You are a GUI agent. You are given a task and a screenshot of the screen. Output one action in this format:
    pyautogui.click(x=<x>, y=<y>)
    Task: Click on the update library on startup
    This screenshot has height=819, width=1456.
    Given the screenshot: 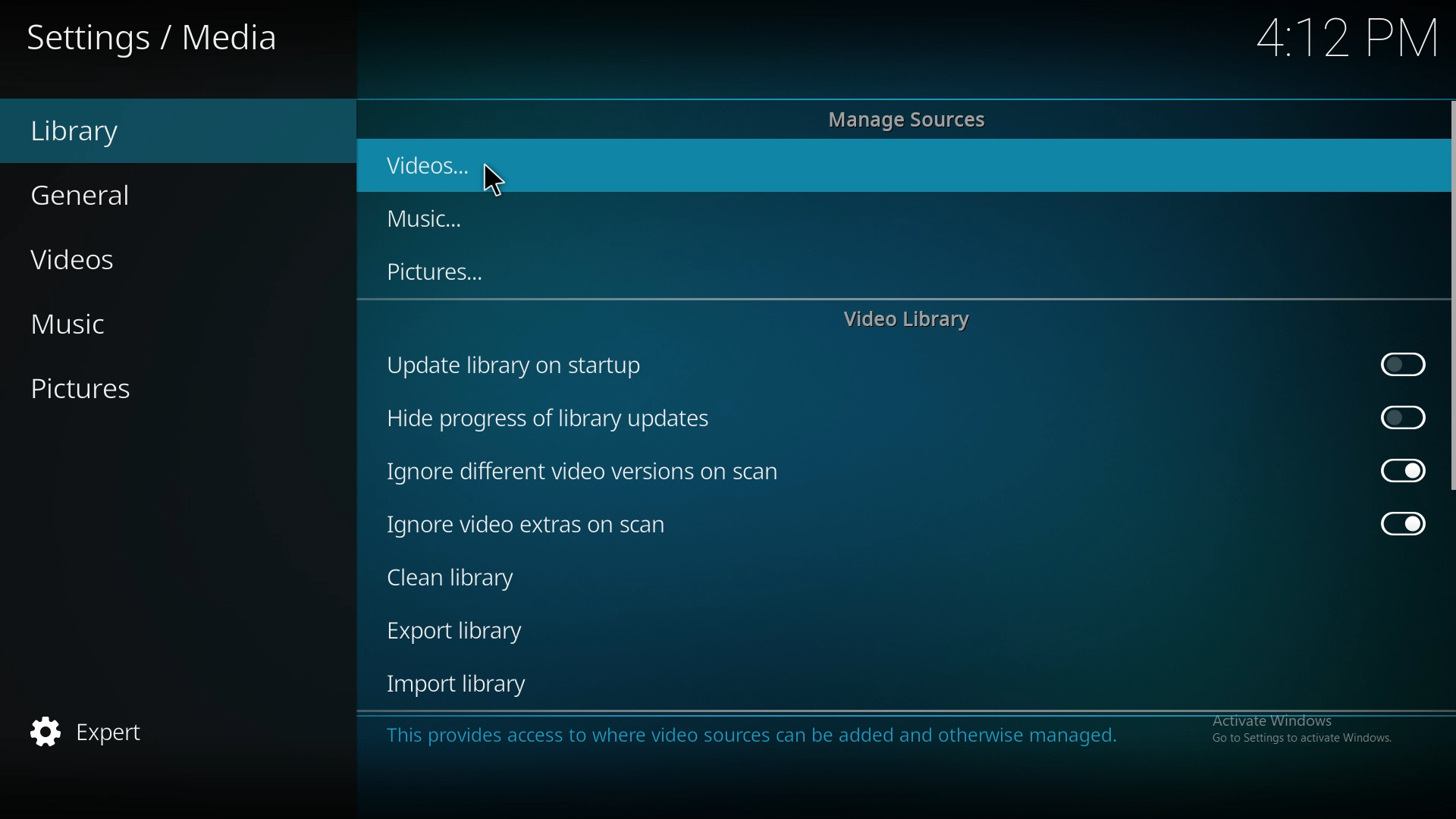 What is the action you would take?
    pyautogui.click(x=529, y=365)
    